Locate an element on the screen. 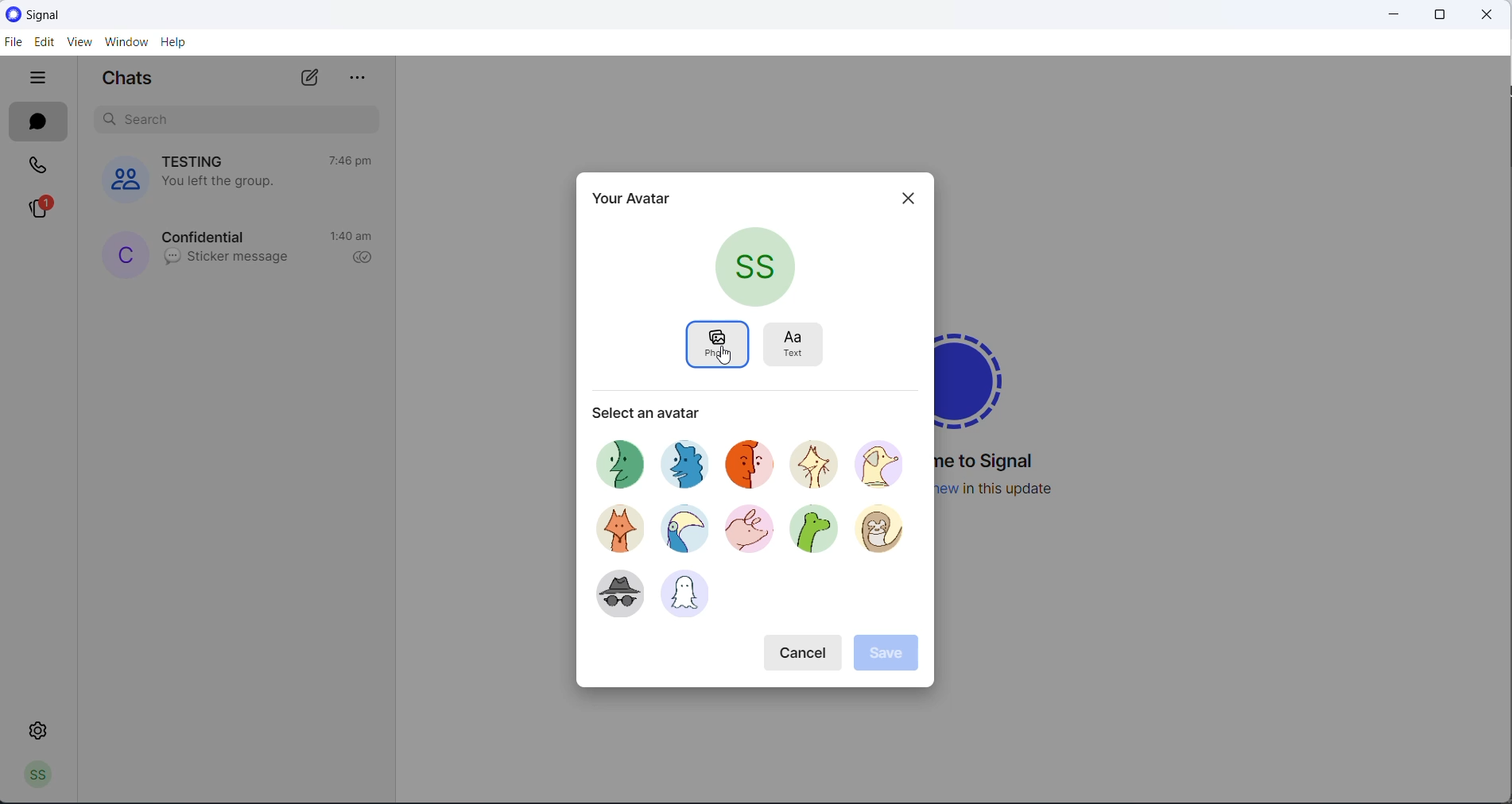 This screenshot has width=1512, height=804. group cover photos is located at coordinates (117, 177).